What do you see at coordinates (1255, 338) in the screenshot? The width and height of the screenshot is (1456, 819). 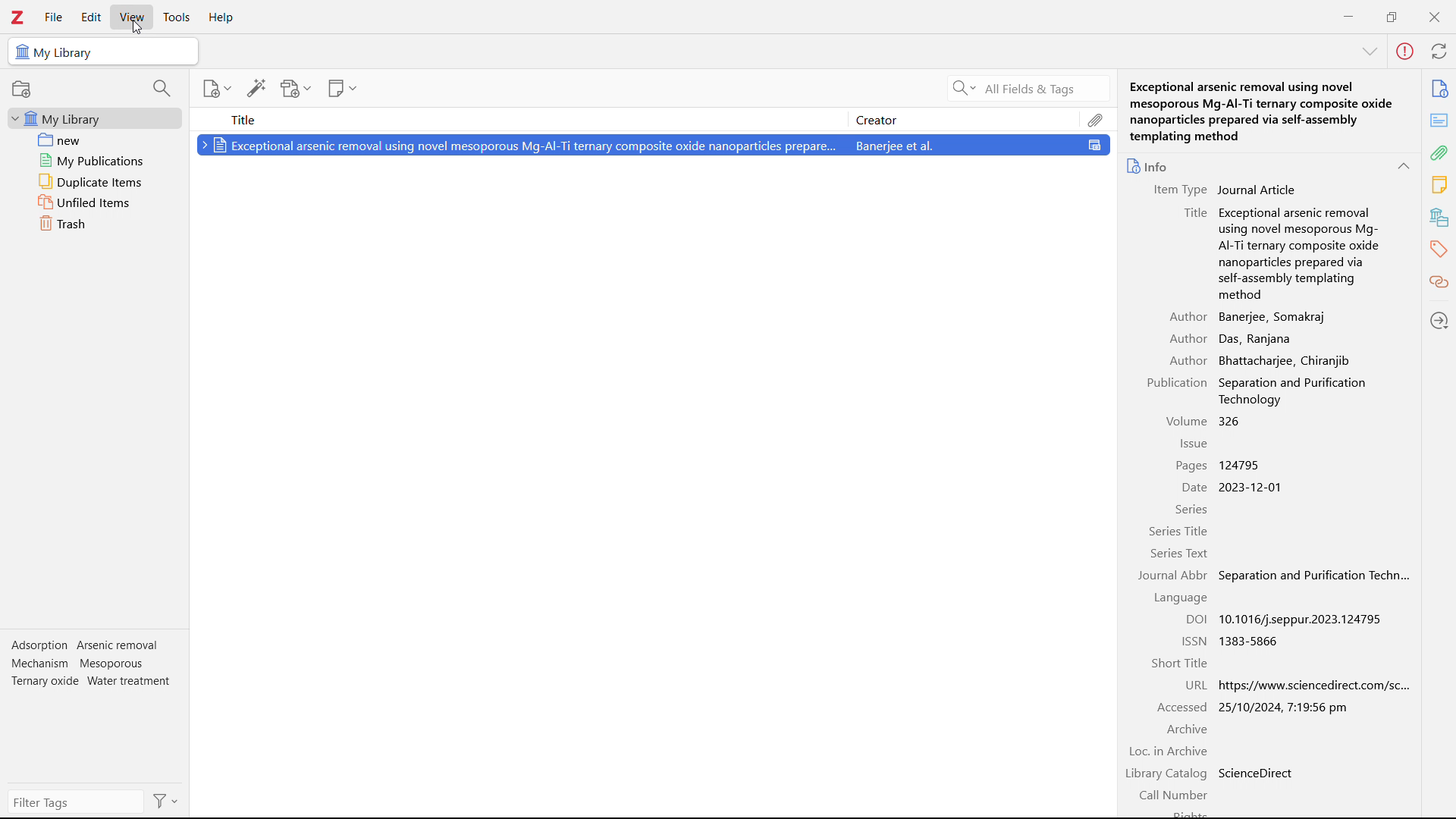 I see `Das, Ranjana` at bounding box center [1255, 338].